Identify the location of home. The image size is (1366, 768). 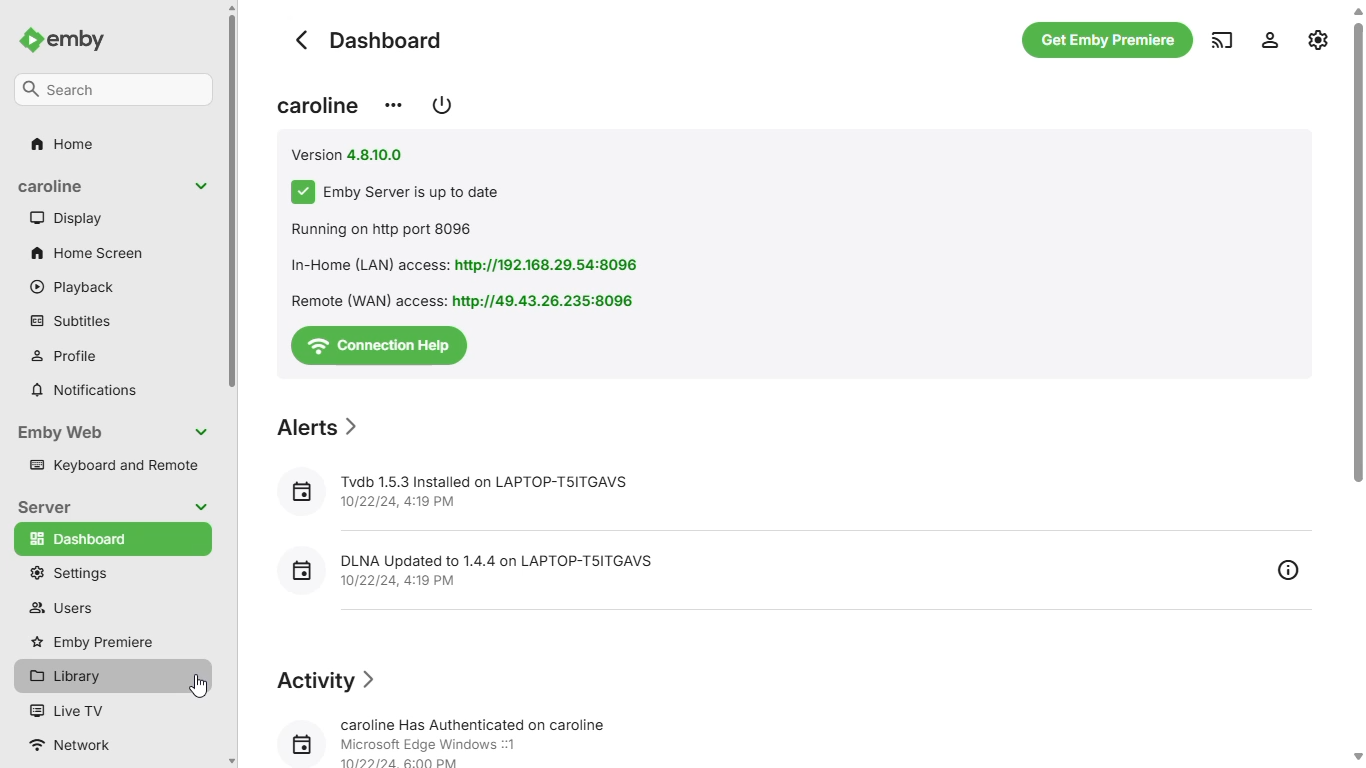
(61, 144).